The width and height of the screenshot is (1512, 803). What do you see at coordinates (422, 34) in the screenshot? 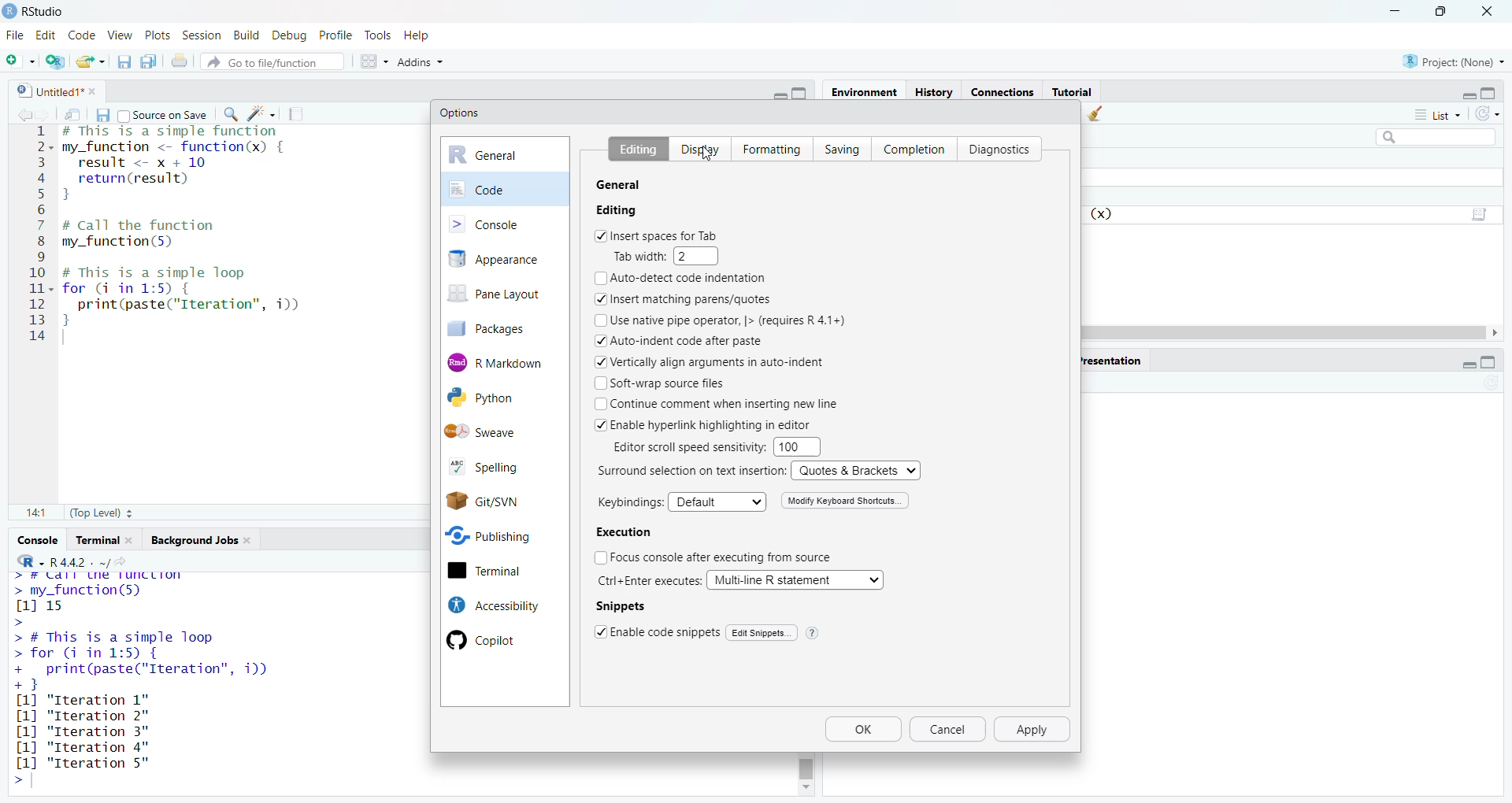
I see `help` at bounding box center [422, 34].